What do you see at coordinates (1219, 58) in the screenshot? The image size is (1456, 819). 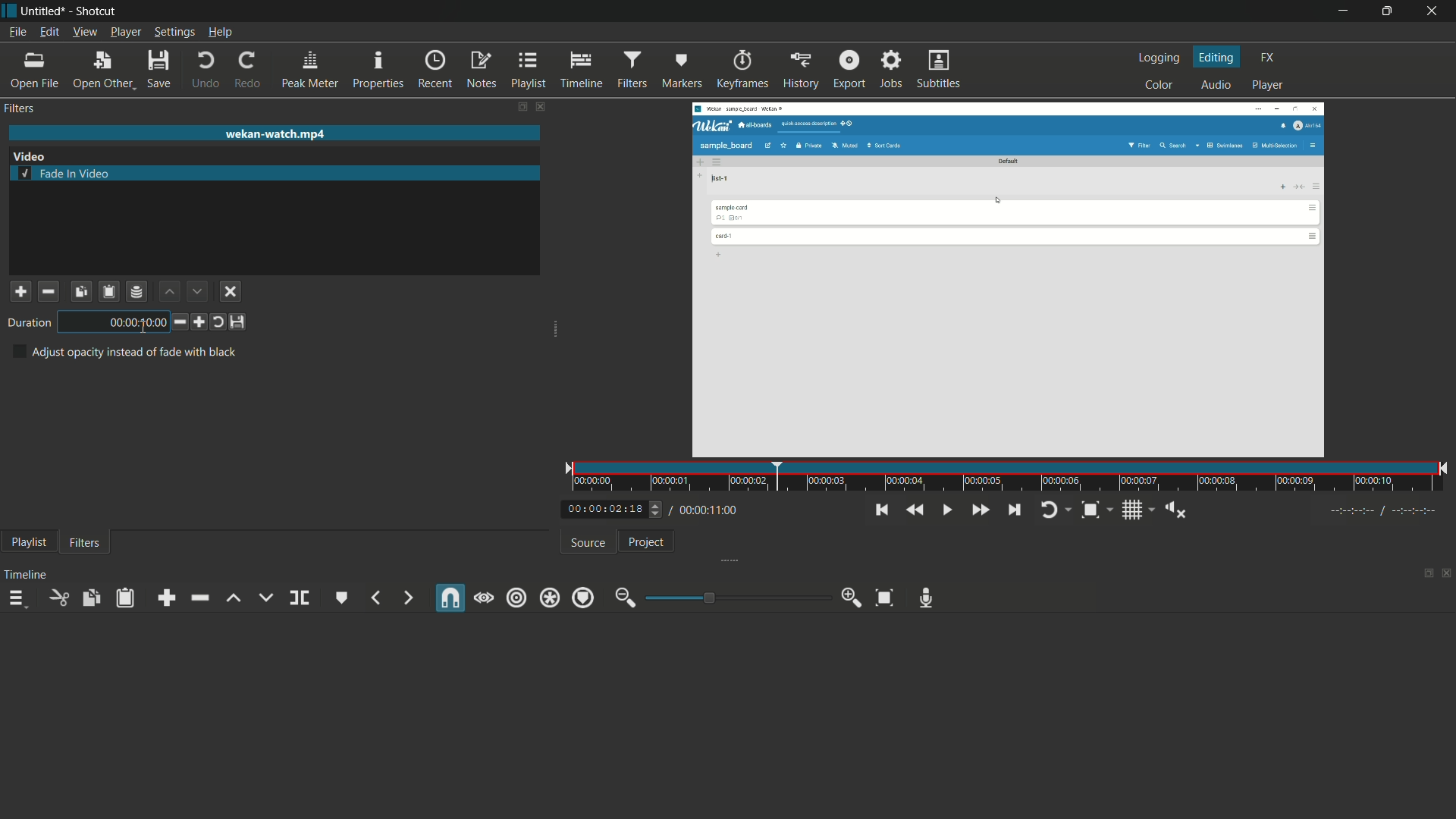 I see `editing` at bounding box center [1219, 58].